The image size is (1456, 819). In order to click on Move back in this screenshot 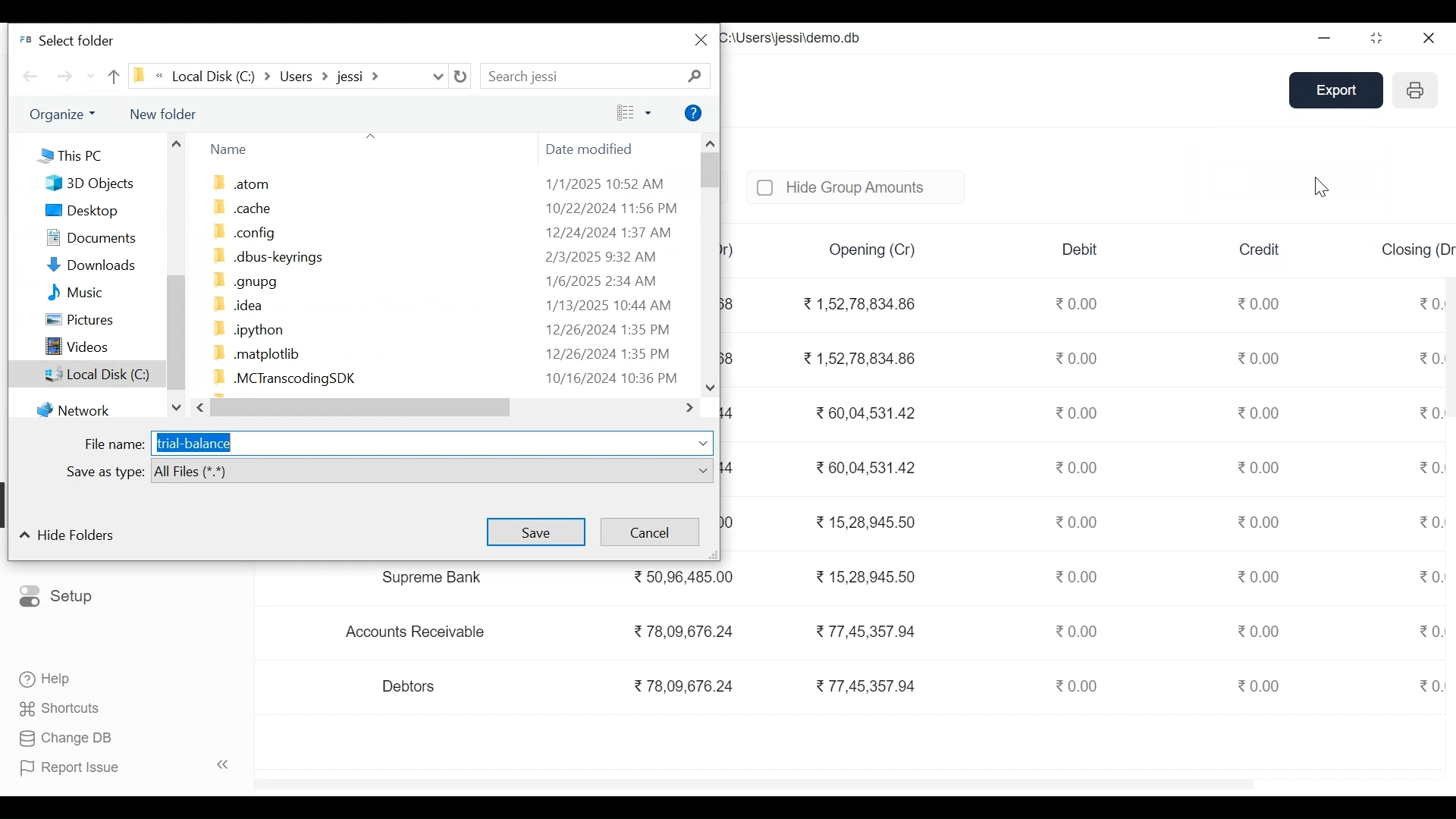, I will do `click(30, 76)`.